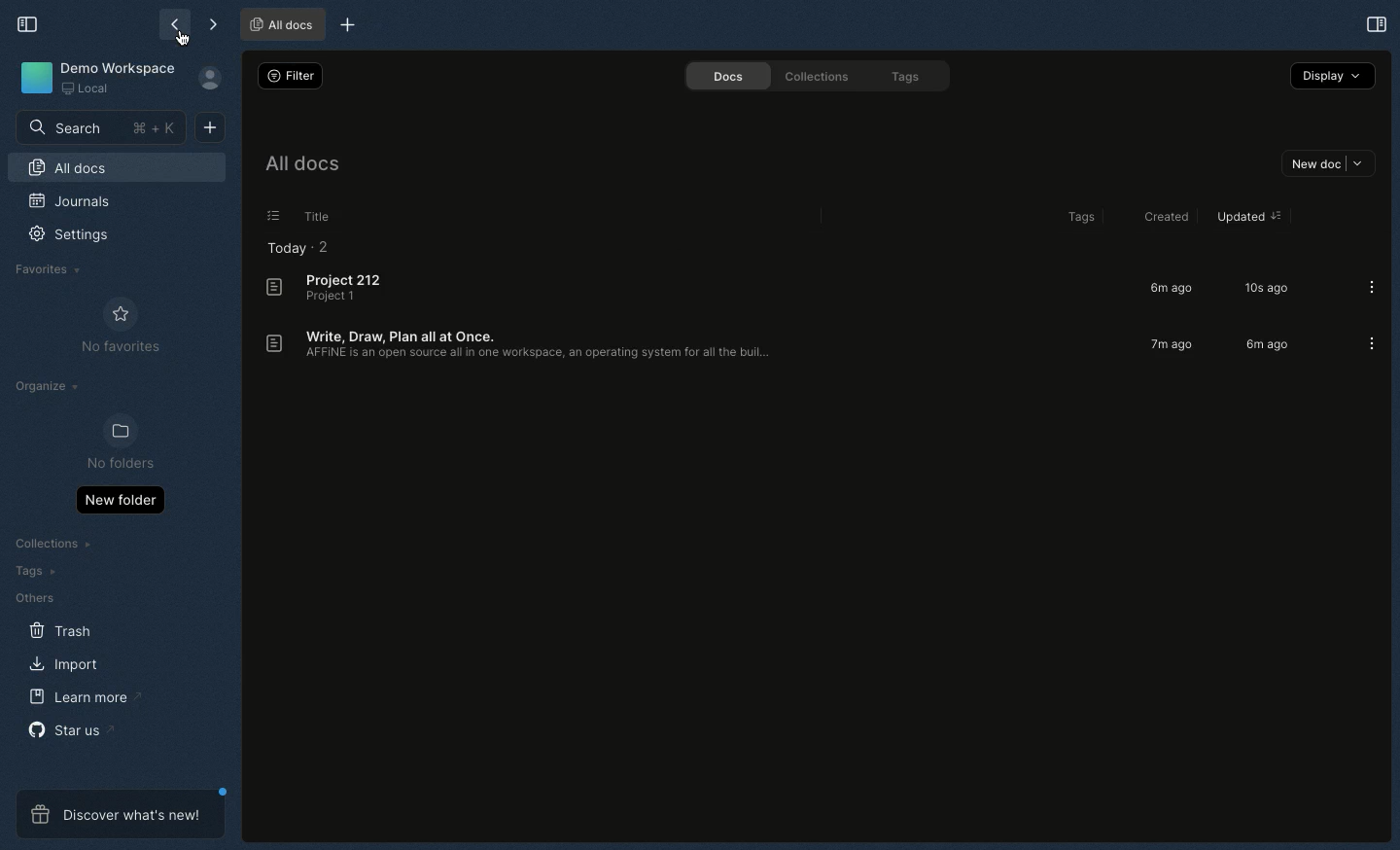 The height and width of the screenshot is (850, 1400). I want to click on go back, so click(177, 69).